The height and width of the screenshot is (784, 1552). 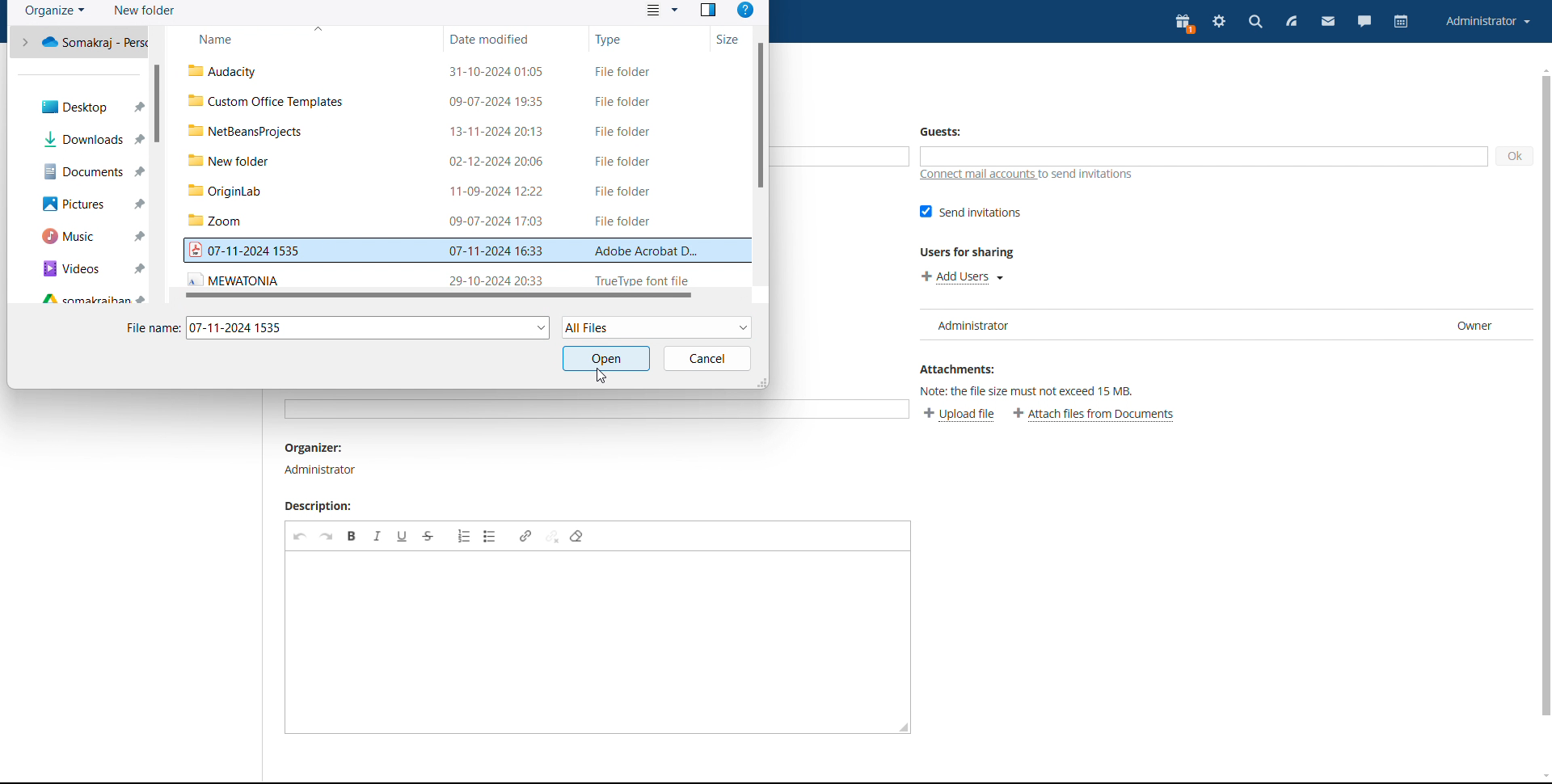 I want to click on remove format, so click(x=576, y=537).